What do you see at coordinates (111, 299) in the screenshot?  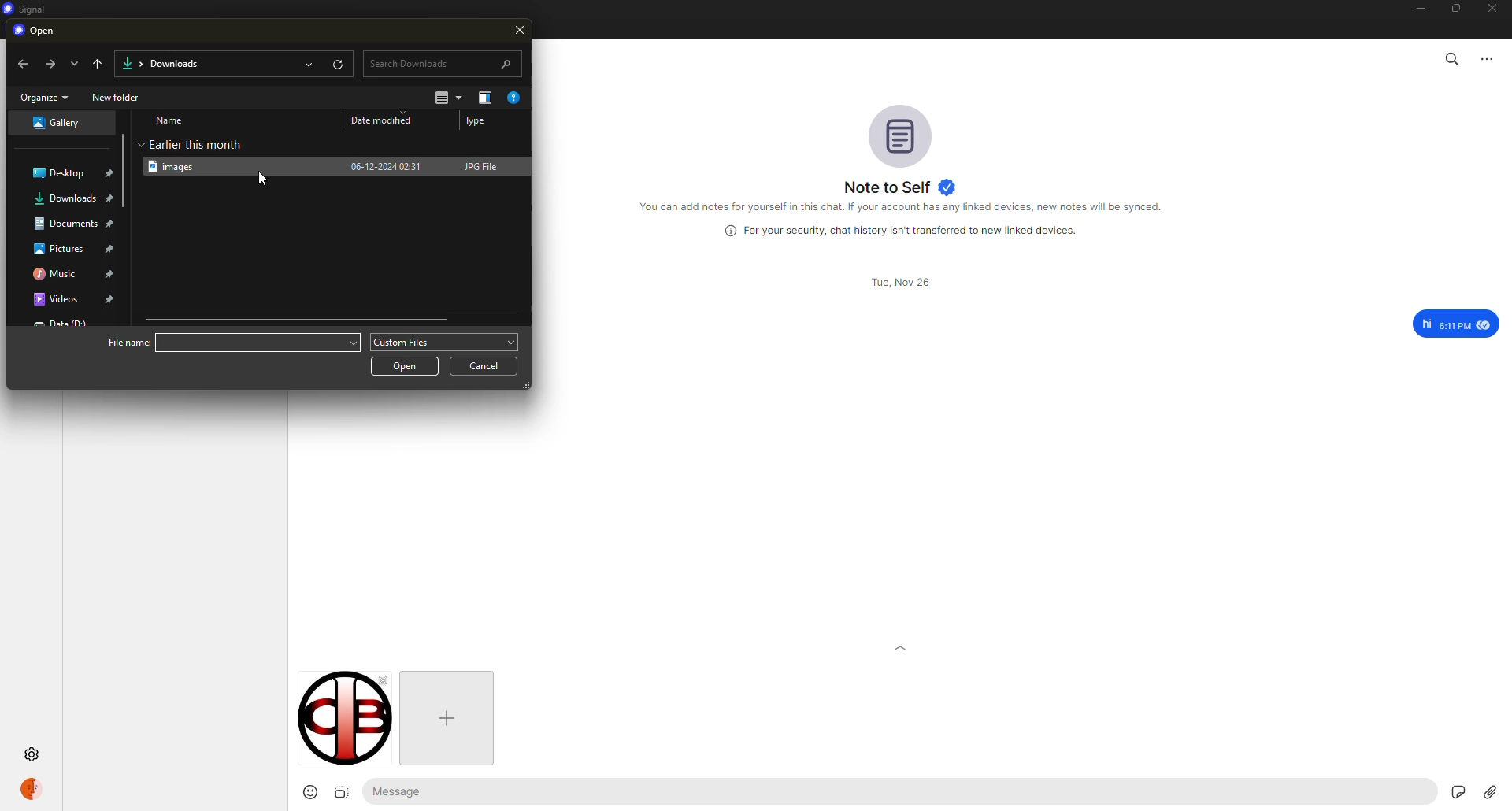 I see `pin` at bounding box center [111, 299].